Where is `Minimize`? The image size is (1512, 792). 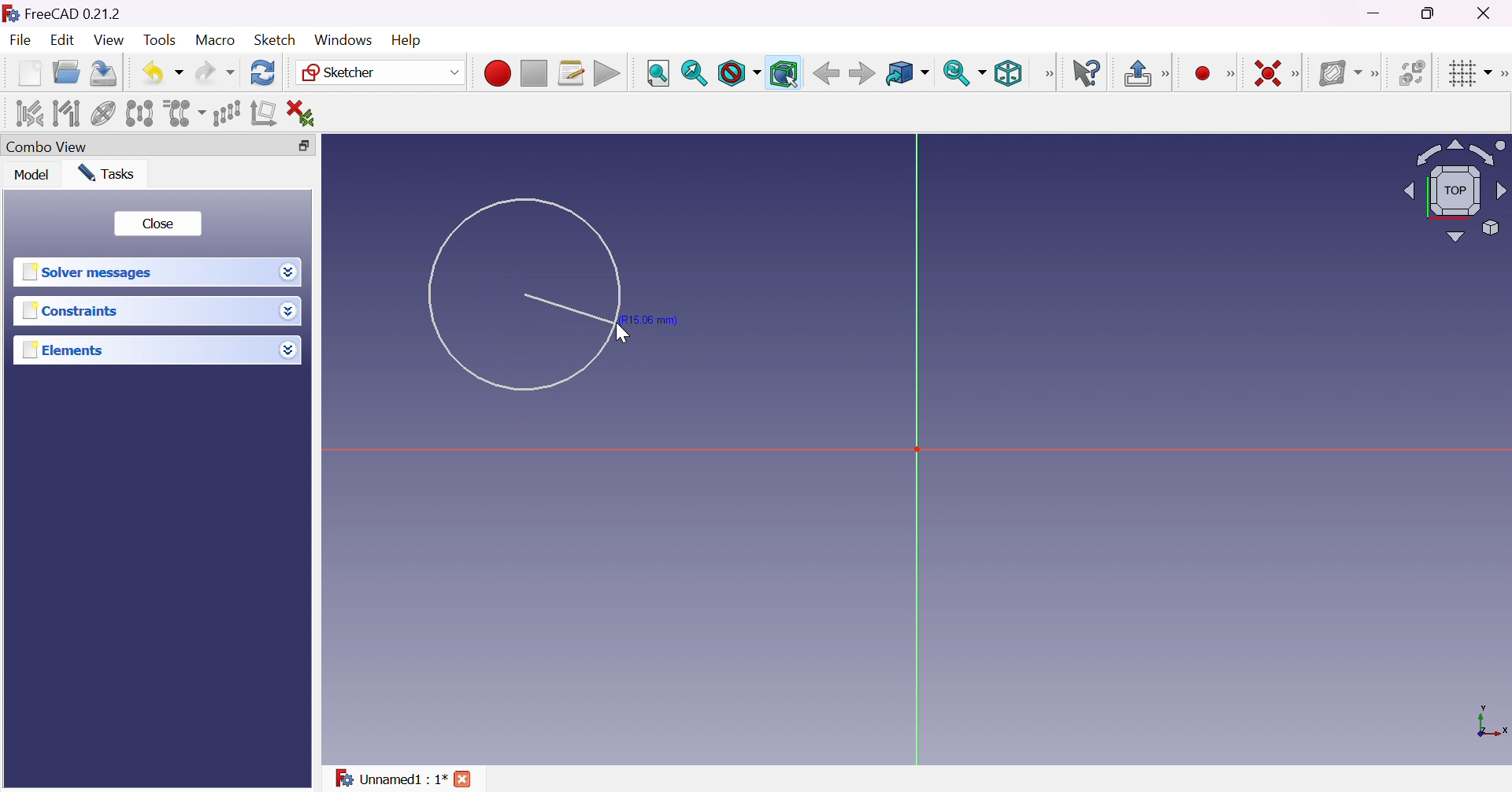 Minimize is located at coordinates (1377, 13).